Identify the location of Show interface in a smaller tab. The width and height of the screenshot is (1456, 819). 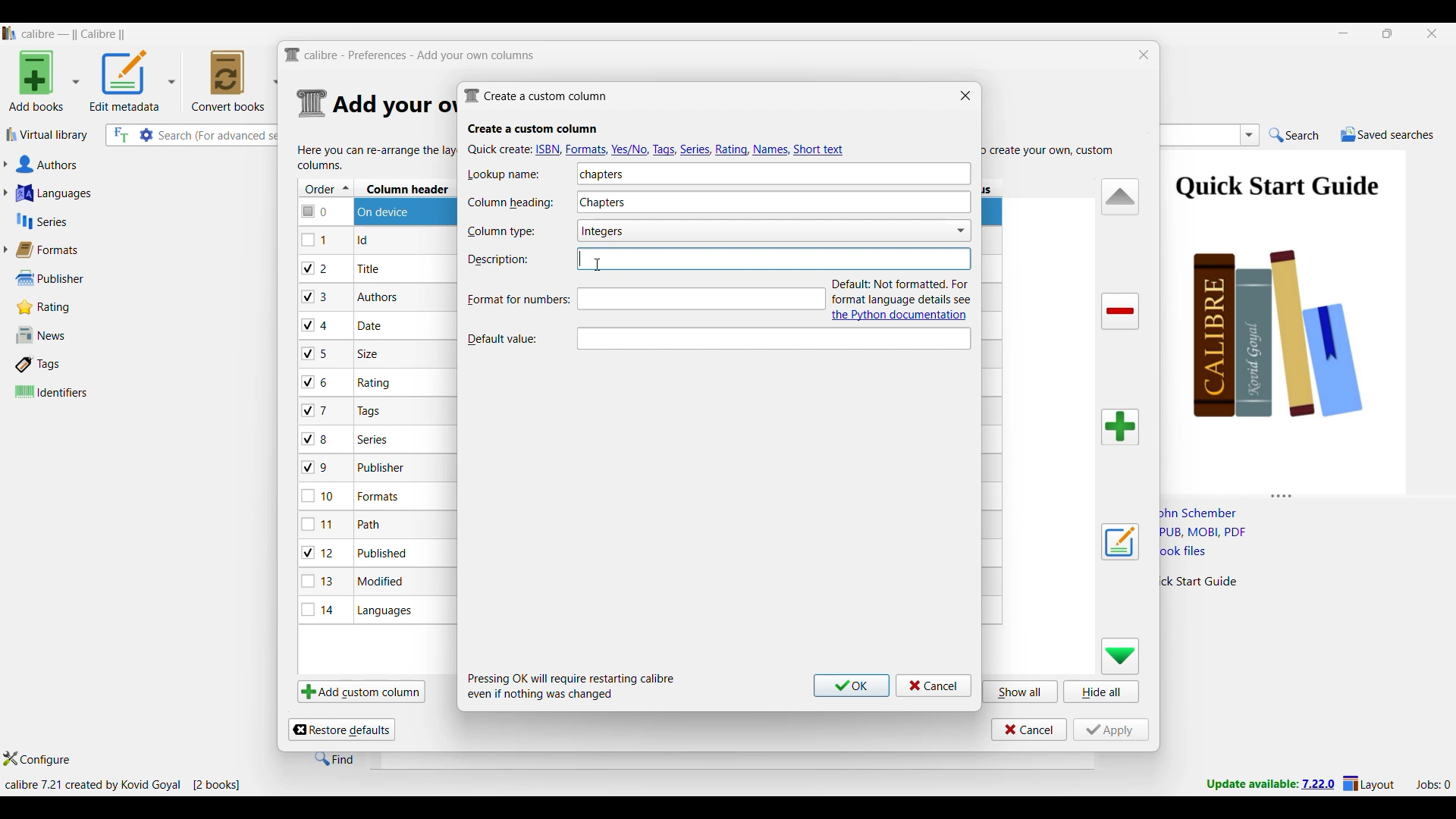
(1389, 33).